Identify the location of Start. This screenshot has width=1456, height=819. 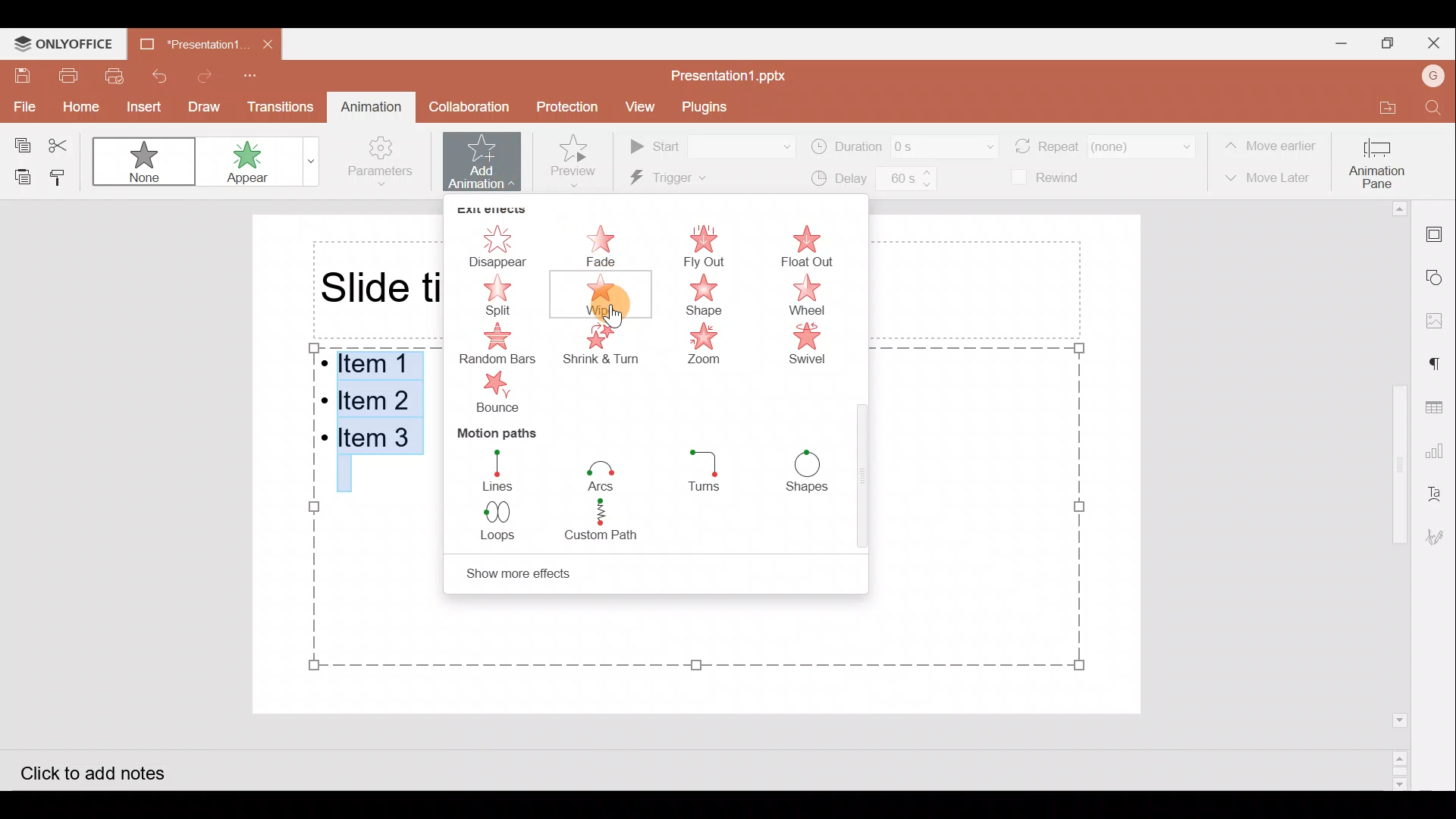
(713, 144).